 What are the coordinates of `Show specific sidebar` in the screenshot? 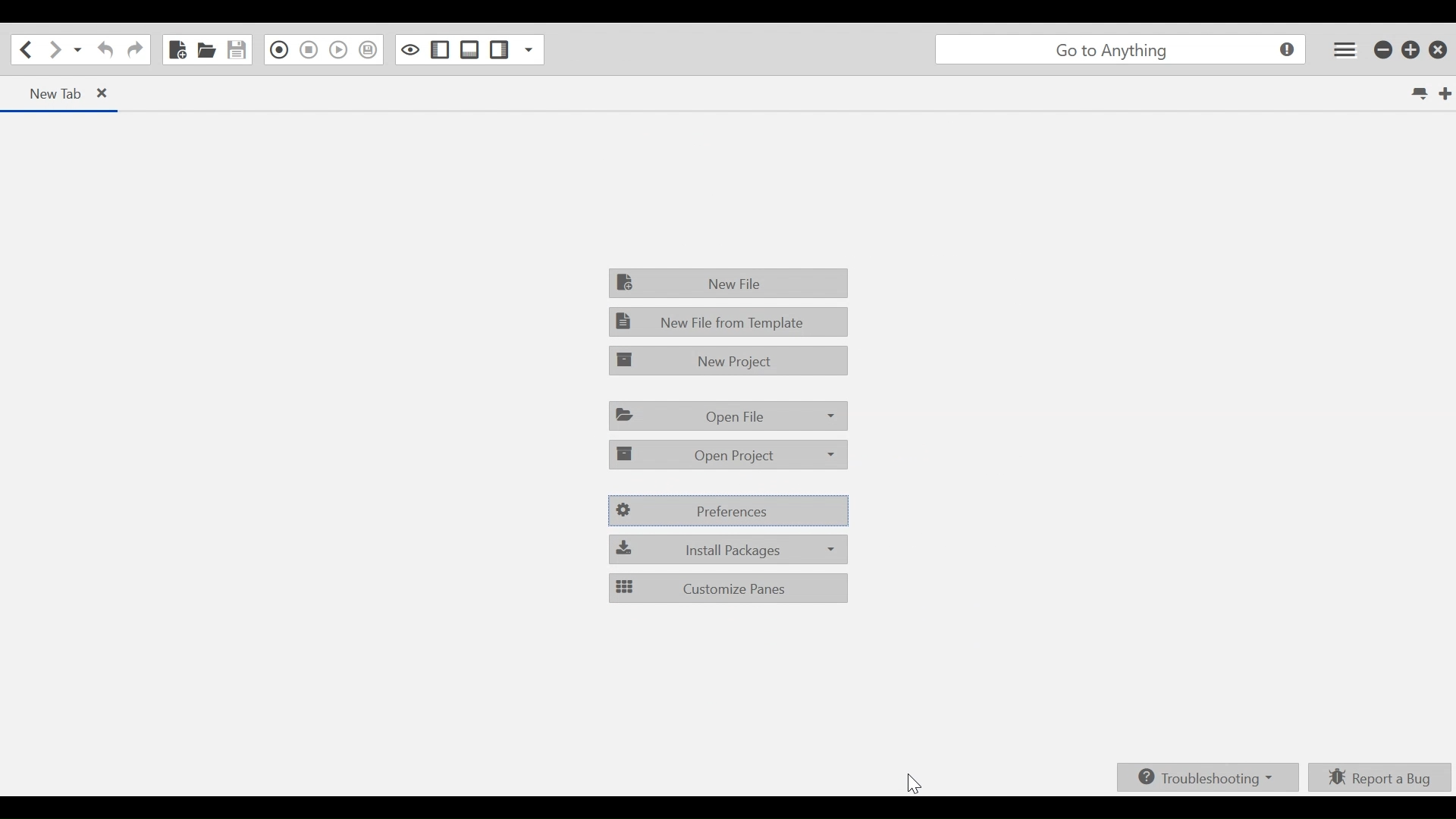 It's located at (527, 50).